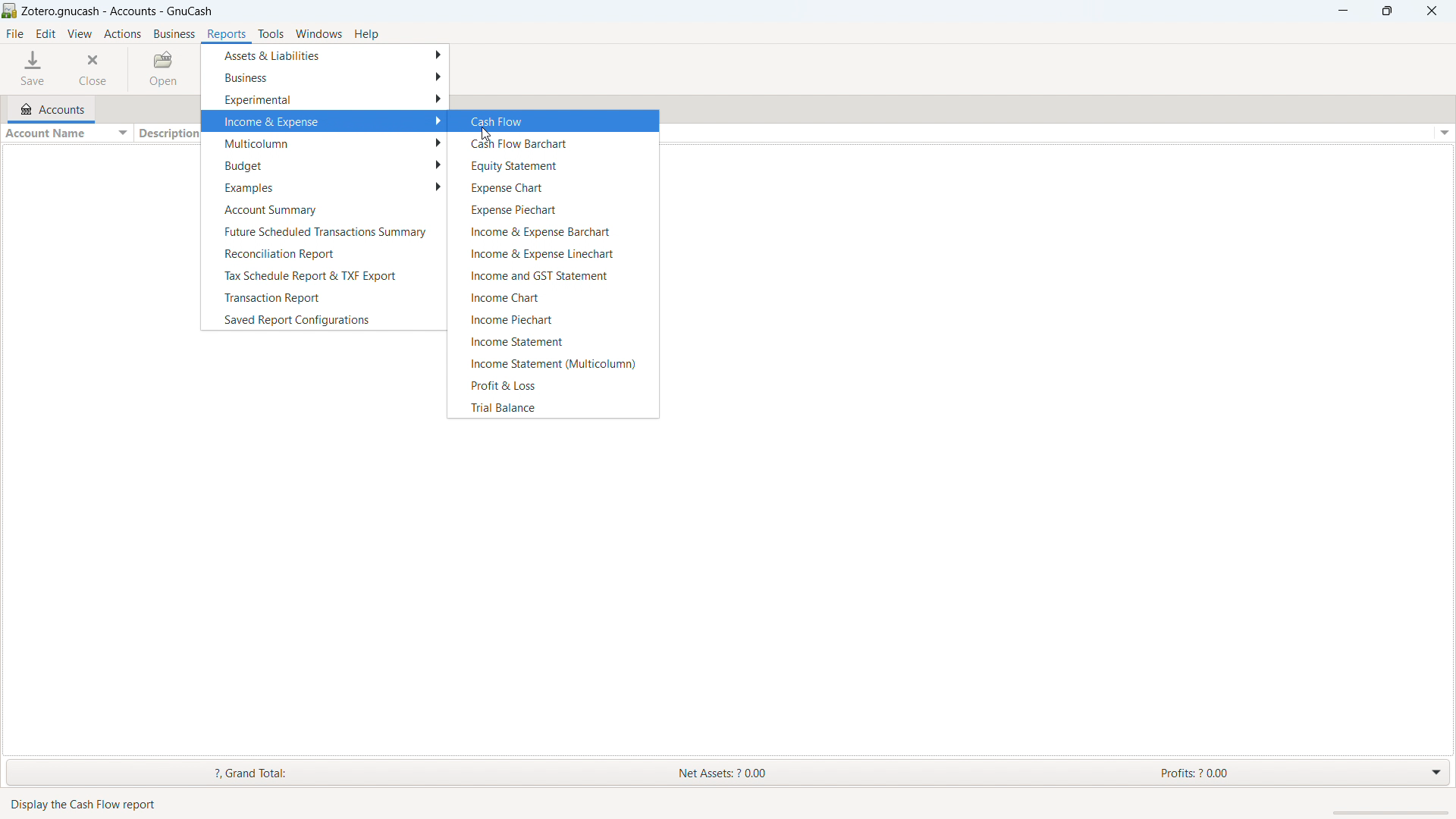 This screenshot has height=819, width=1456. I want to click on sort by description, so click(167, 134).